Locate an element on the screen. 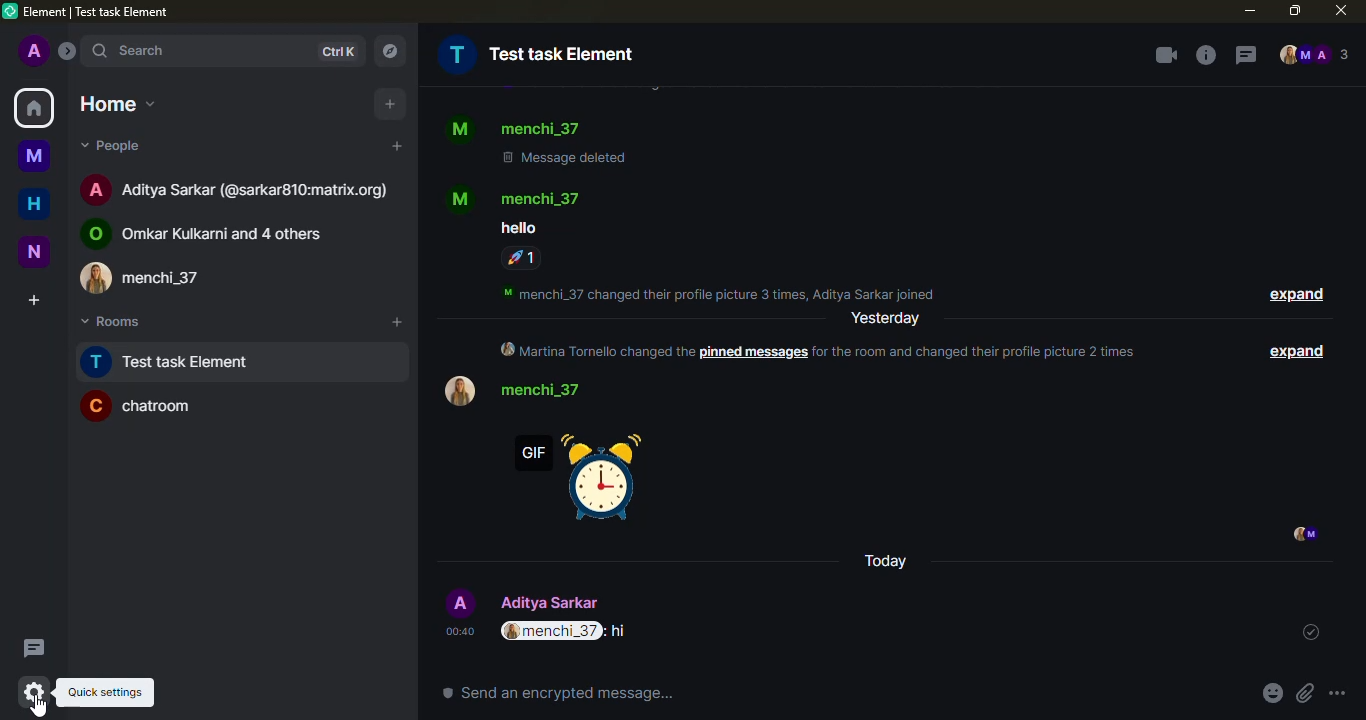  add is located at coordinates (398, 322).